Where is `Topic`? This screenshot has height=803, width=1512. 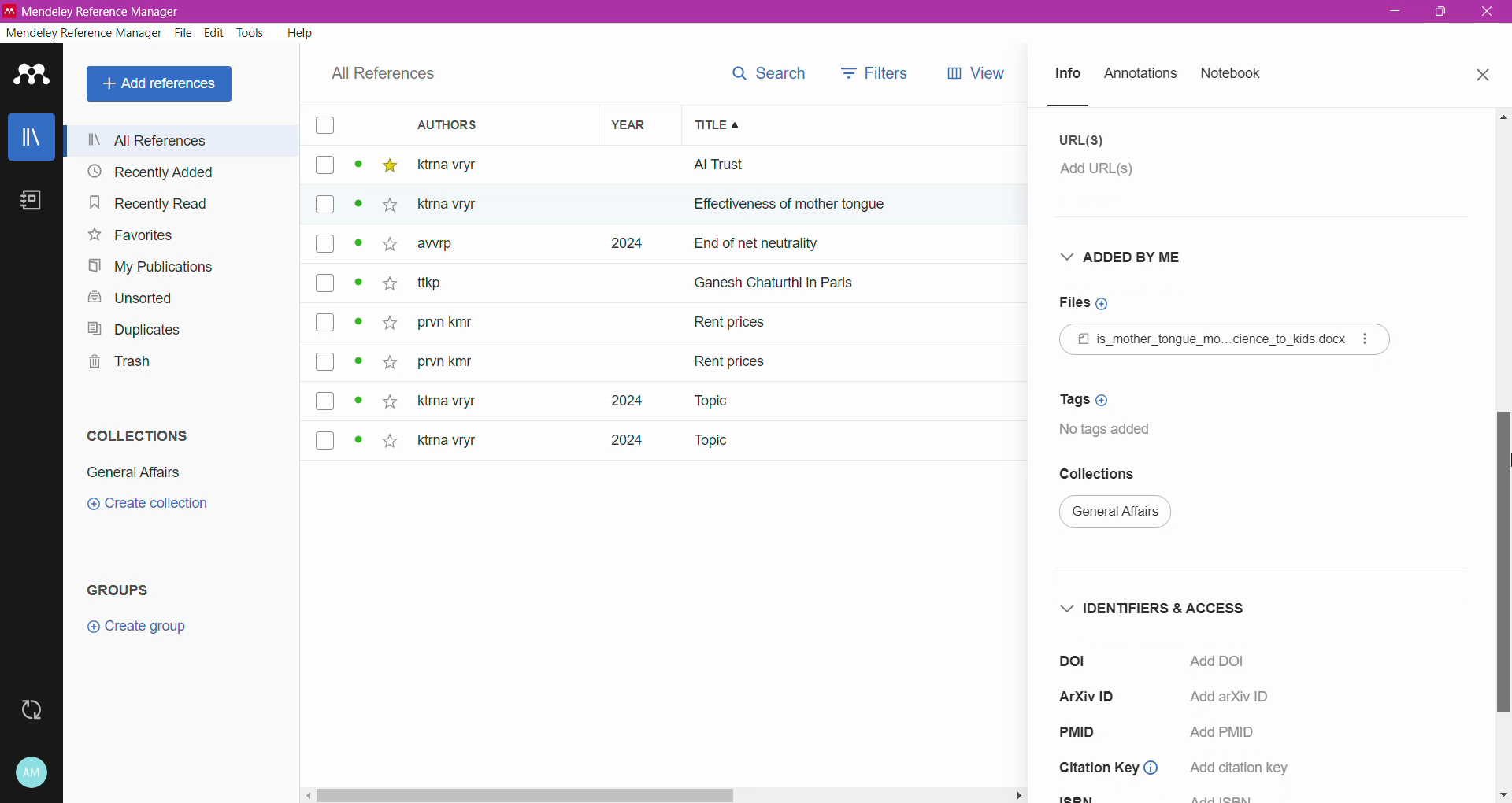
Topic is located at coordinates (700, 401).